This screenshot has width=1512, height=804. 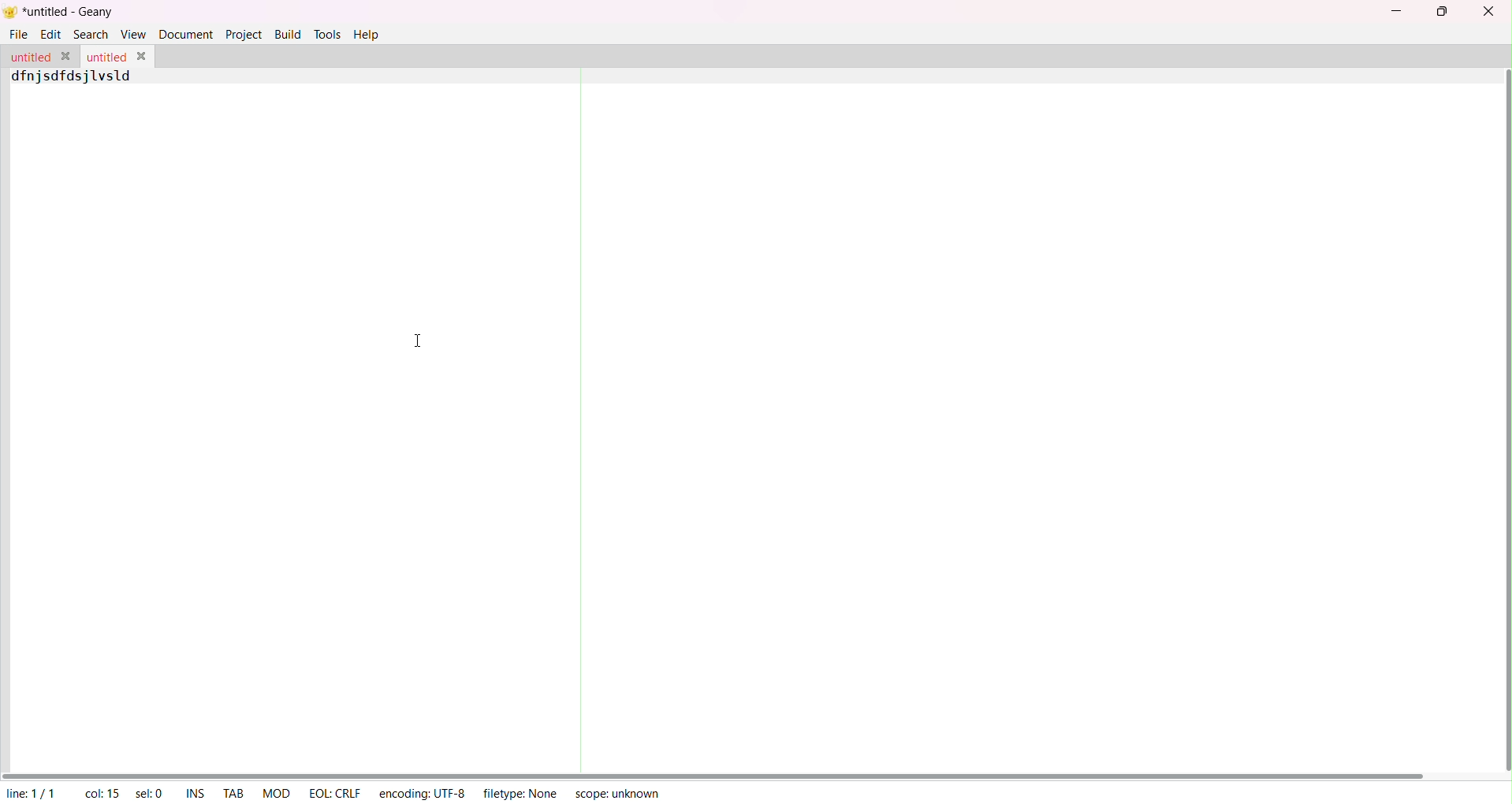 What do you see at coordinates (105, 58) in the screenshot?
I see `untitled` at bounding box center [105, 58].